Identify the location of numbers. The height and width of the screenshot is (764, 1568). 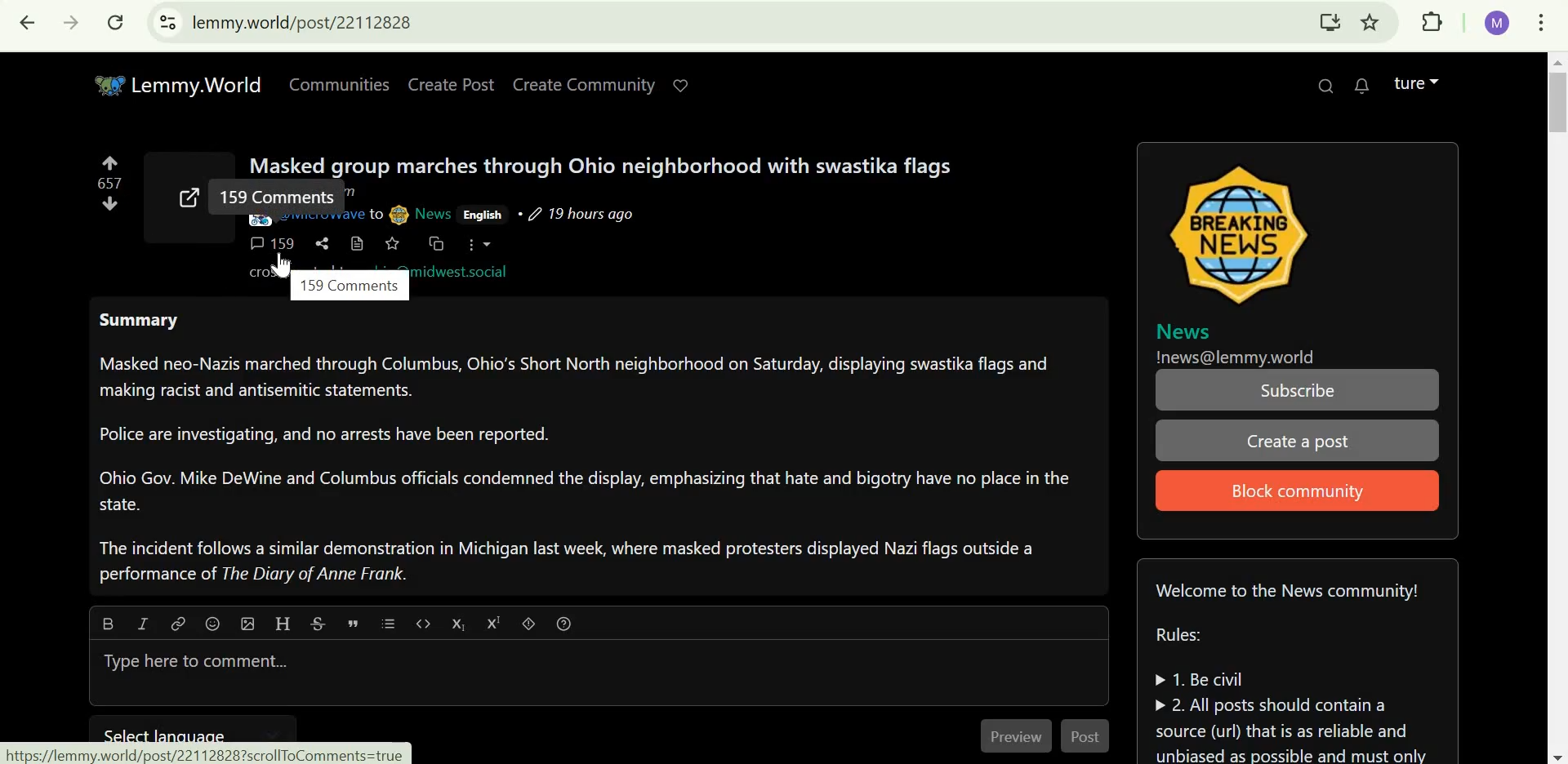
(113, 183).